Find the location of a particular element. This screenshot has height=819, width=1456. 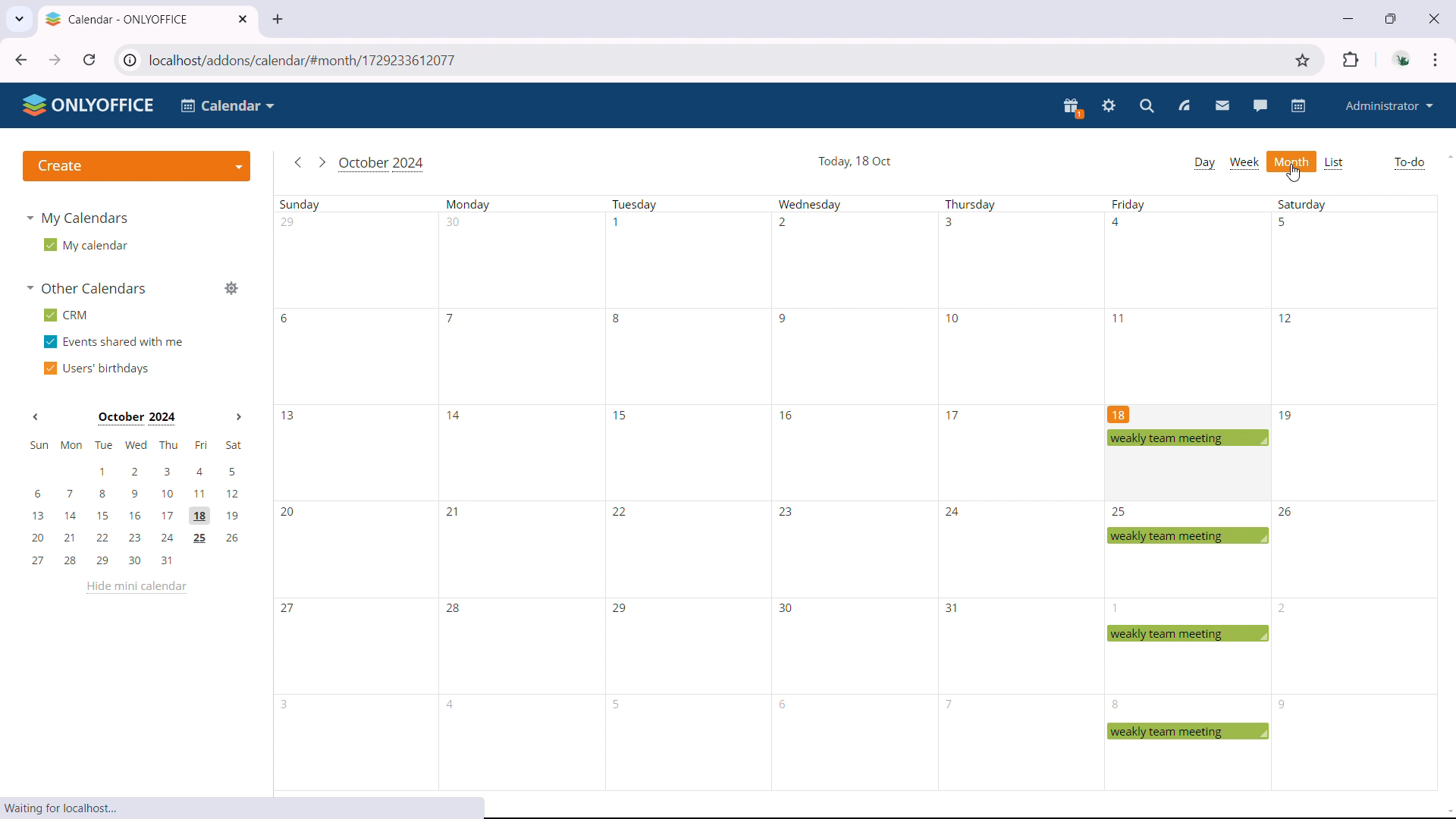

Previous month is located at coordinates (36, 419).